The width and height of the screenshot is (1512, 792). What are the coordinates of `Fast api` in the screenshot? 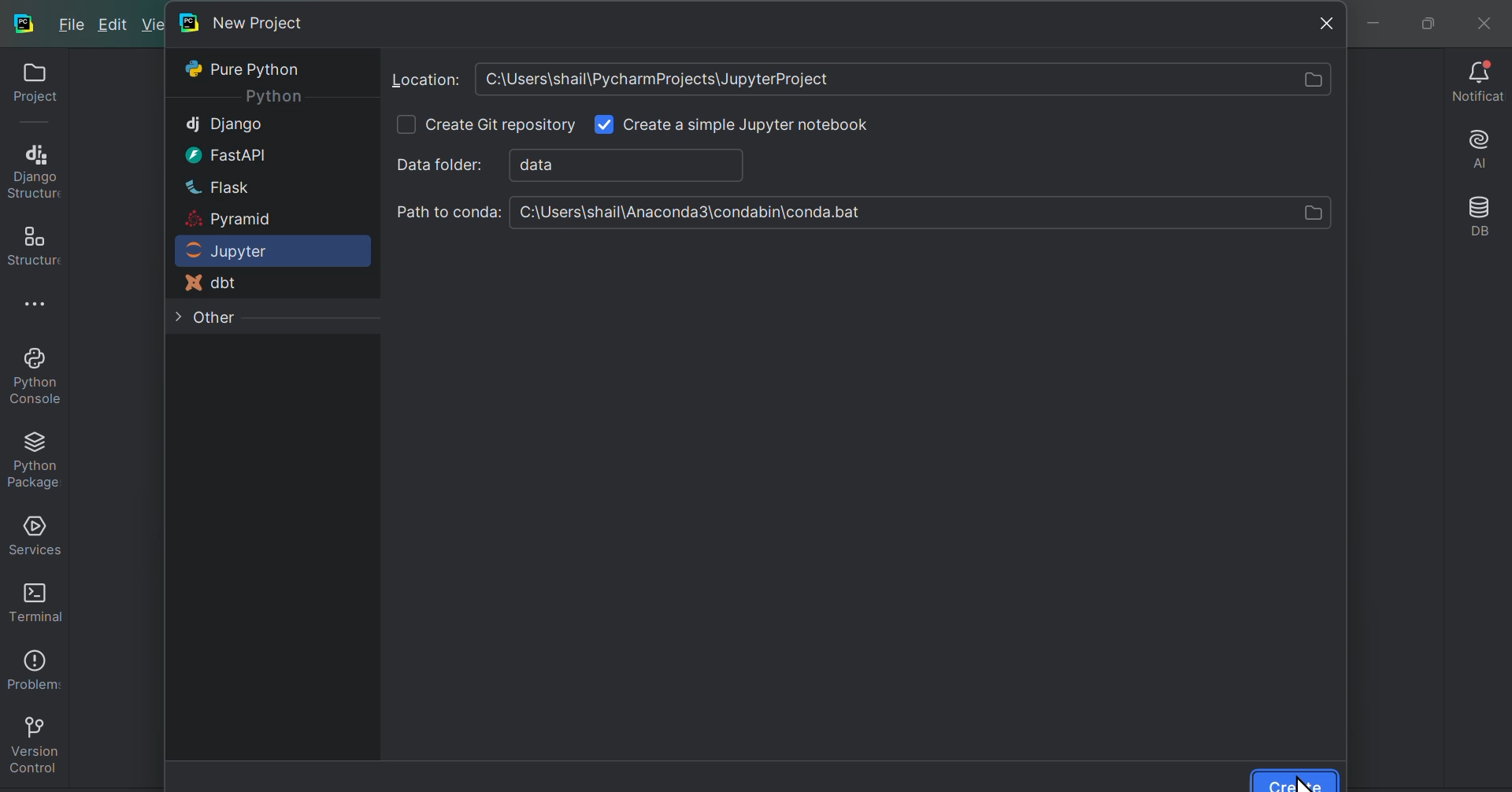 It's located at (220, 154).